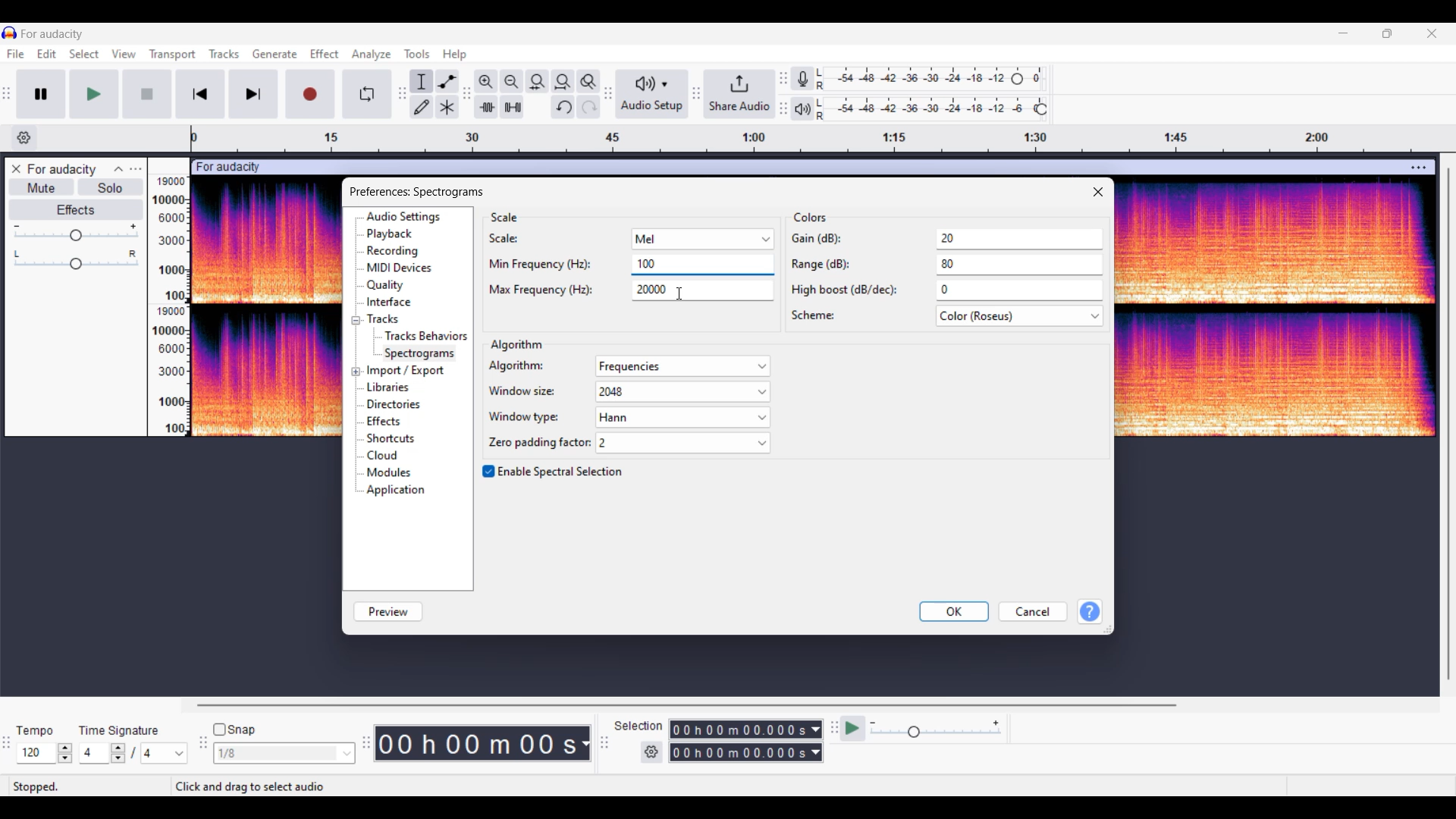 The height and width of the screenshot is (819, 1456). I want to click on Close interface, so click(1432, 33).